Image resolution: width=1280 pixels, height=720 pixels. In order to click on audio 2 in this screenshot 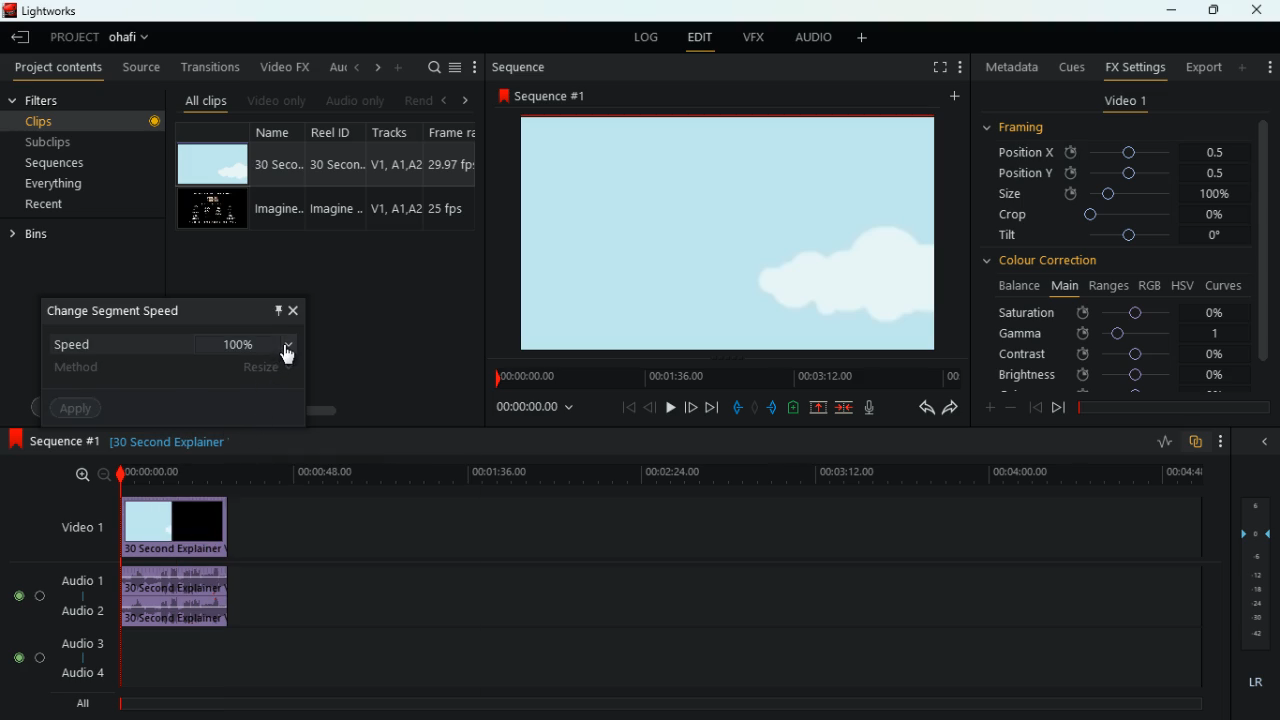, I will do `click(81, 610)`.